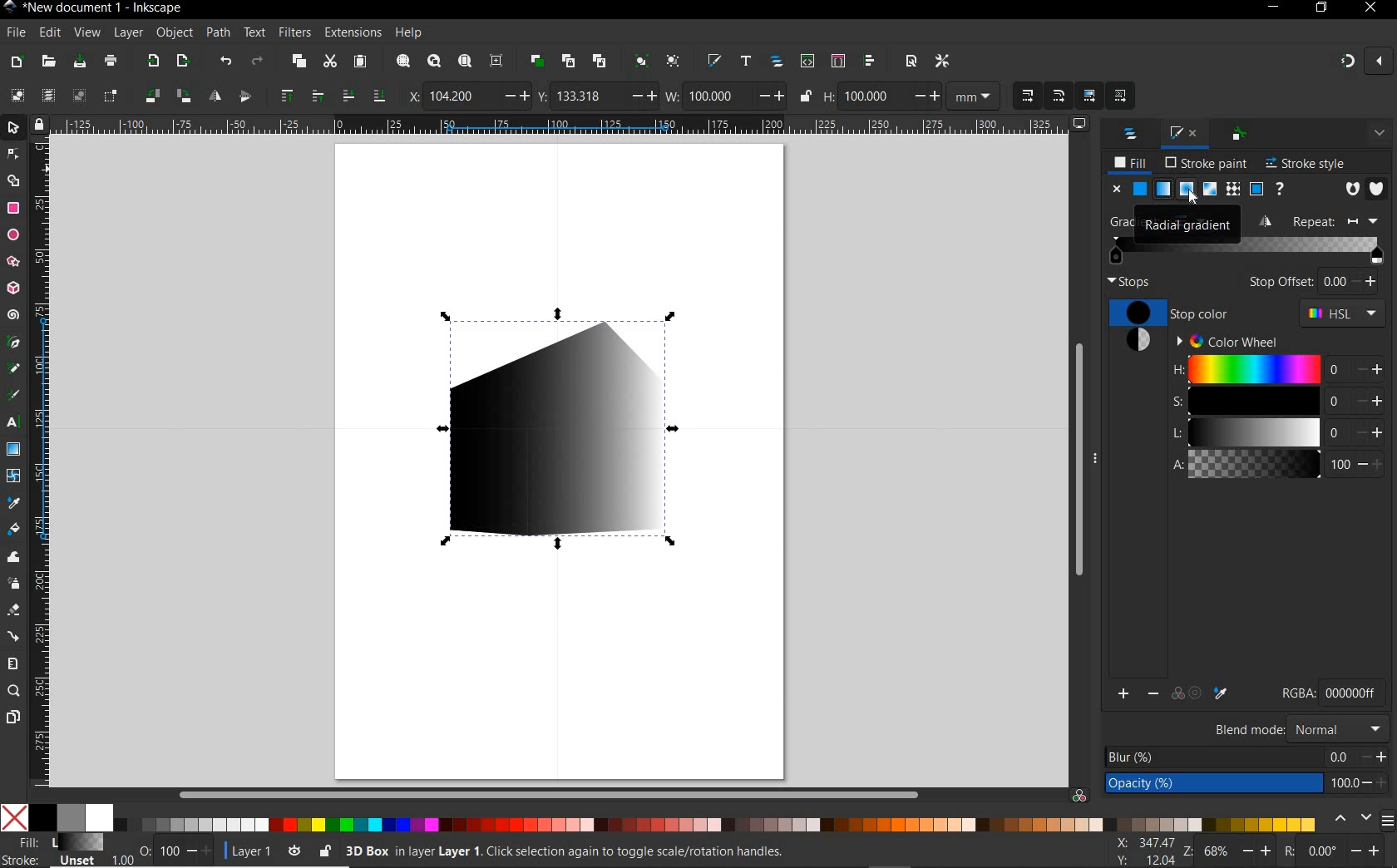  What do you see at coordinates (828, 96) in the screenshot?
I see `HEIGHT OF SELECTION` at bounding box center [828, 96].